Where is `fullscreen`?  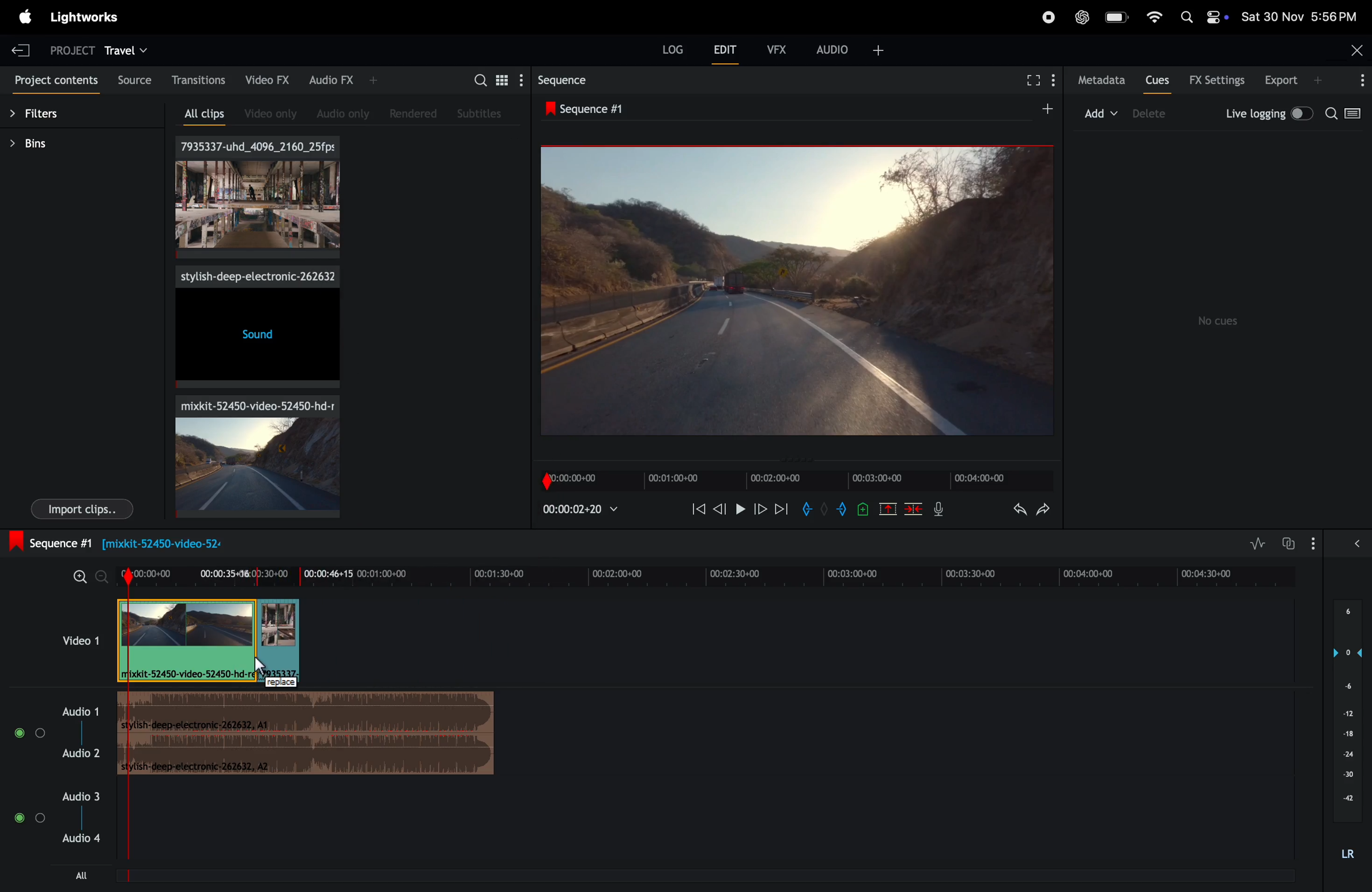 fullscreen is located at coordinates (1036, 80).